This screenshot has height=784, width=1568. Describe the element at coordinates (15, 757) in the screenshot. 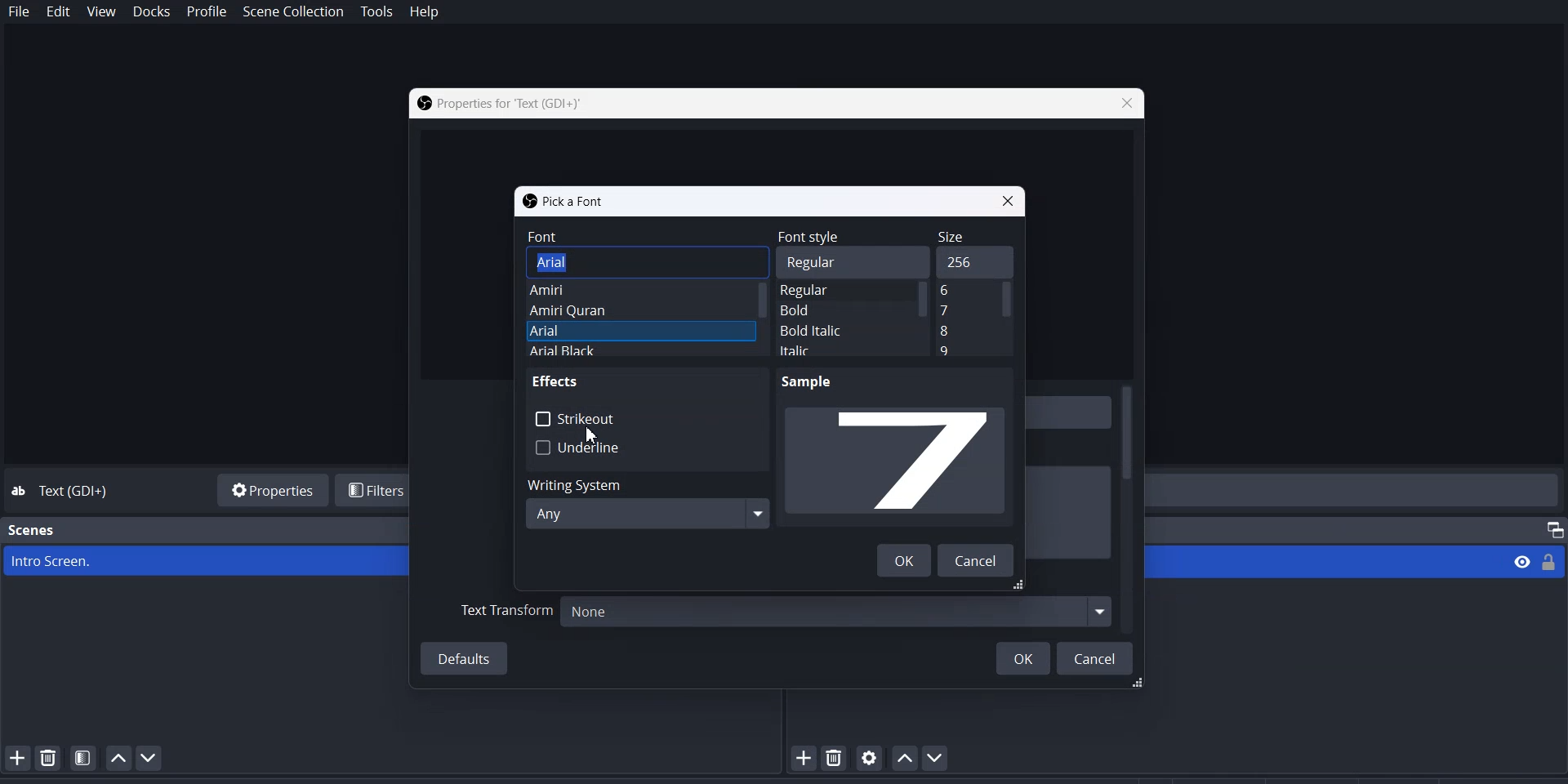

I see `Add Scene` at that location.